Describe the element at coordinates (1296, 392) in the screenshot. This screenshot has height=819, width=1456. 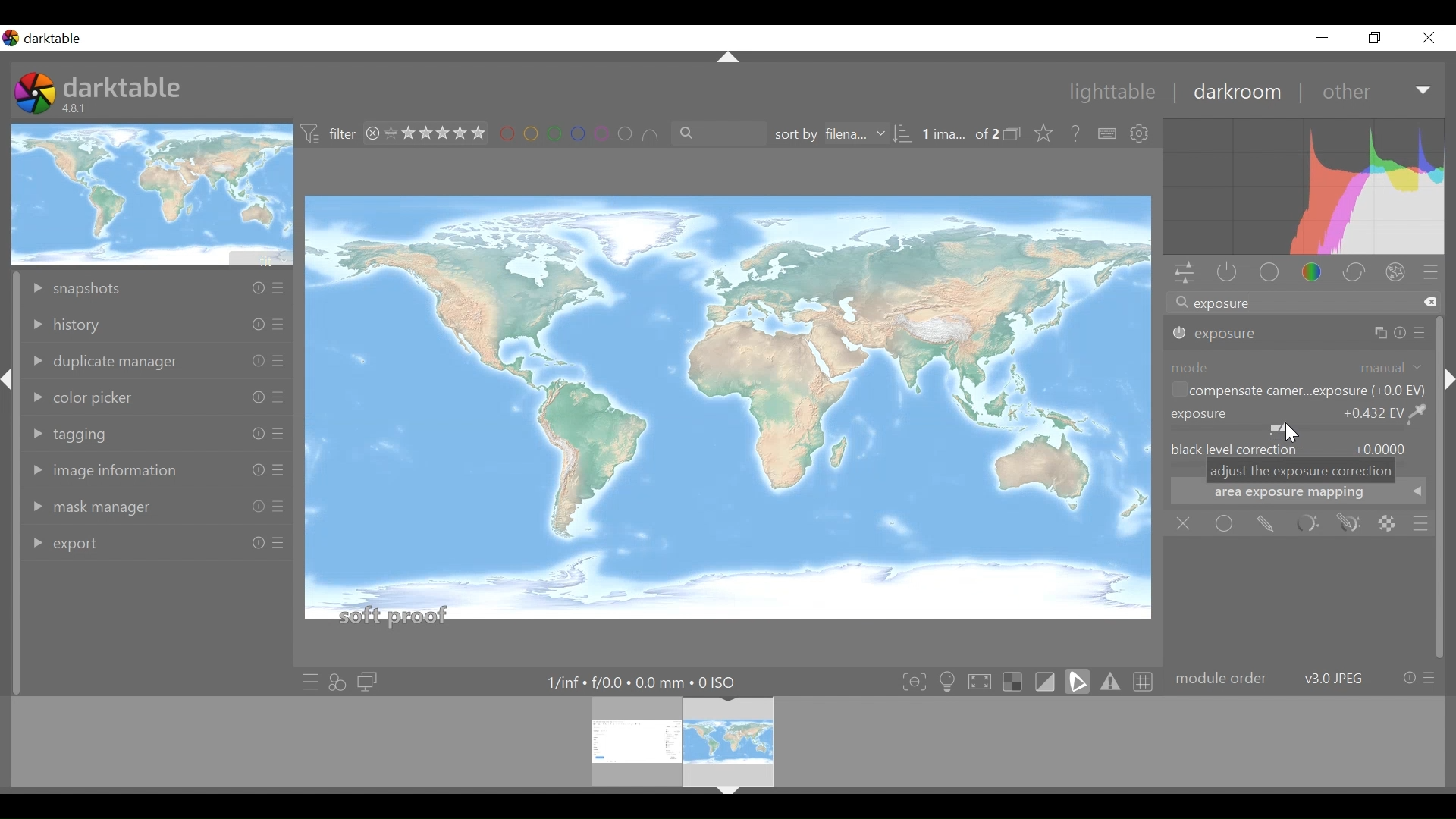
I see `automatically remove the camera bias` at that location.